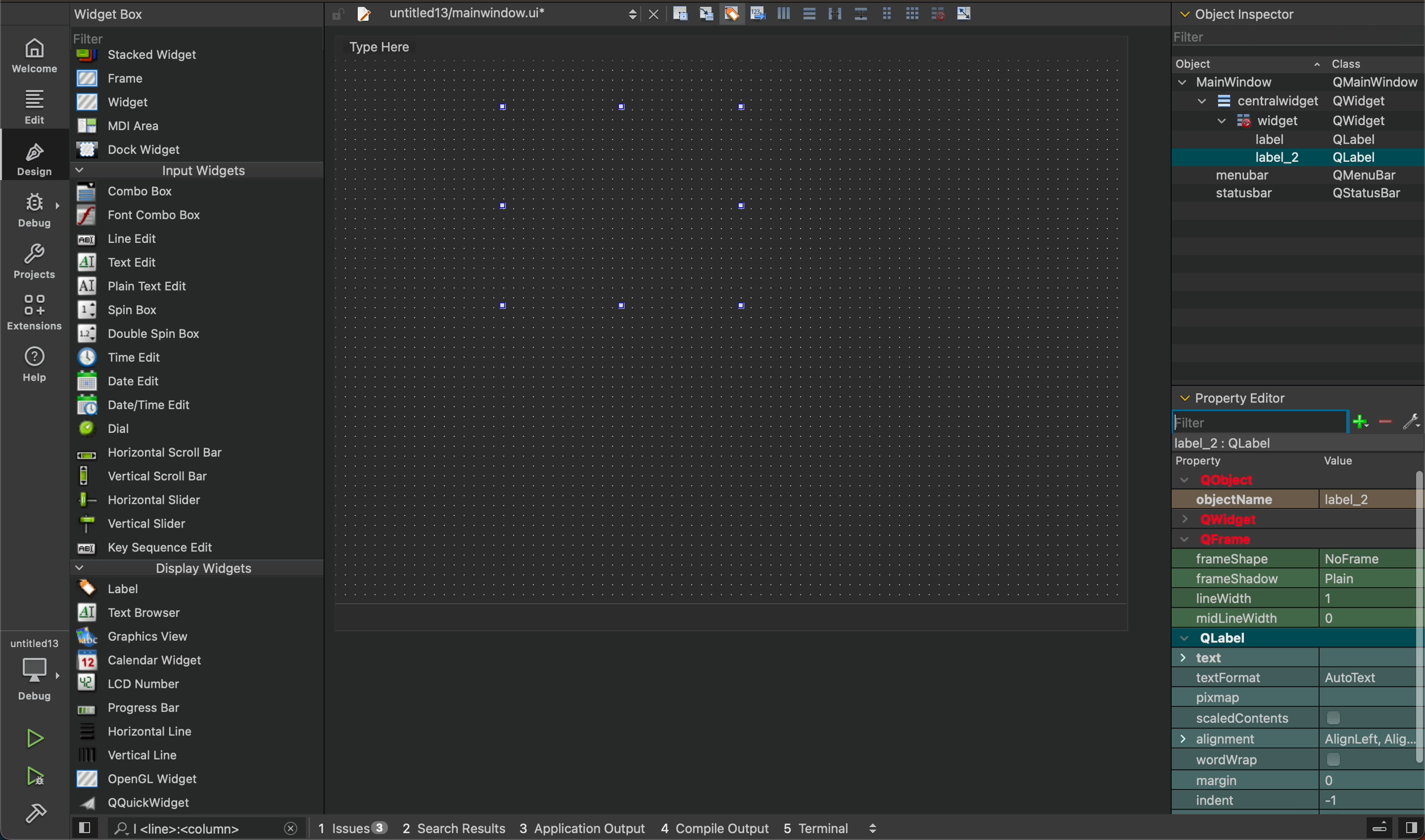 This screenshot has height=840, width=1425. What do you see at coordinates (32, 104) in the screenshot?
I see `edit` at bounding box center [32, 104].